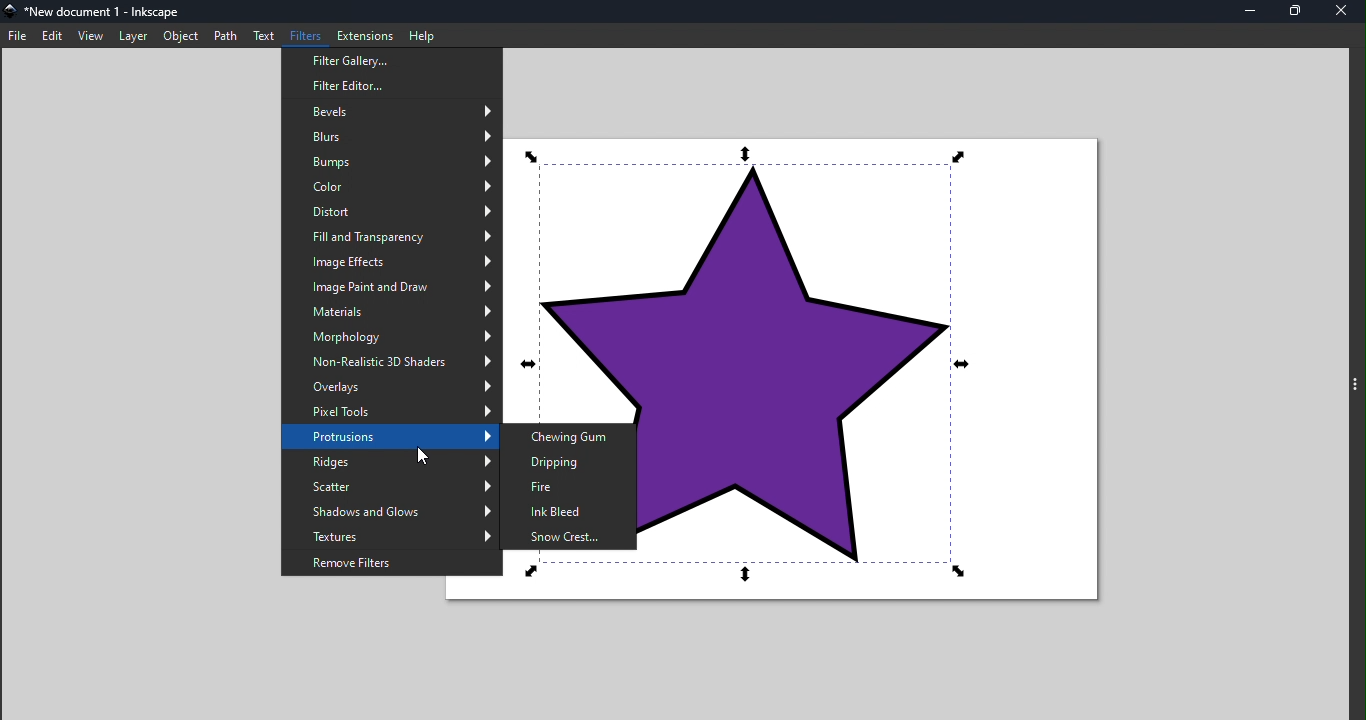 The height and width of the screenshot is (720, 1366). I want to click on Textures, so click(390, 534).